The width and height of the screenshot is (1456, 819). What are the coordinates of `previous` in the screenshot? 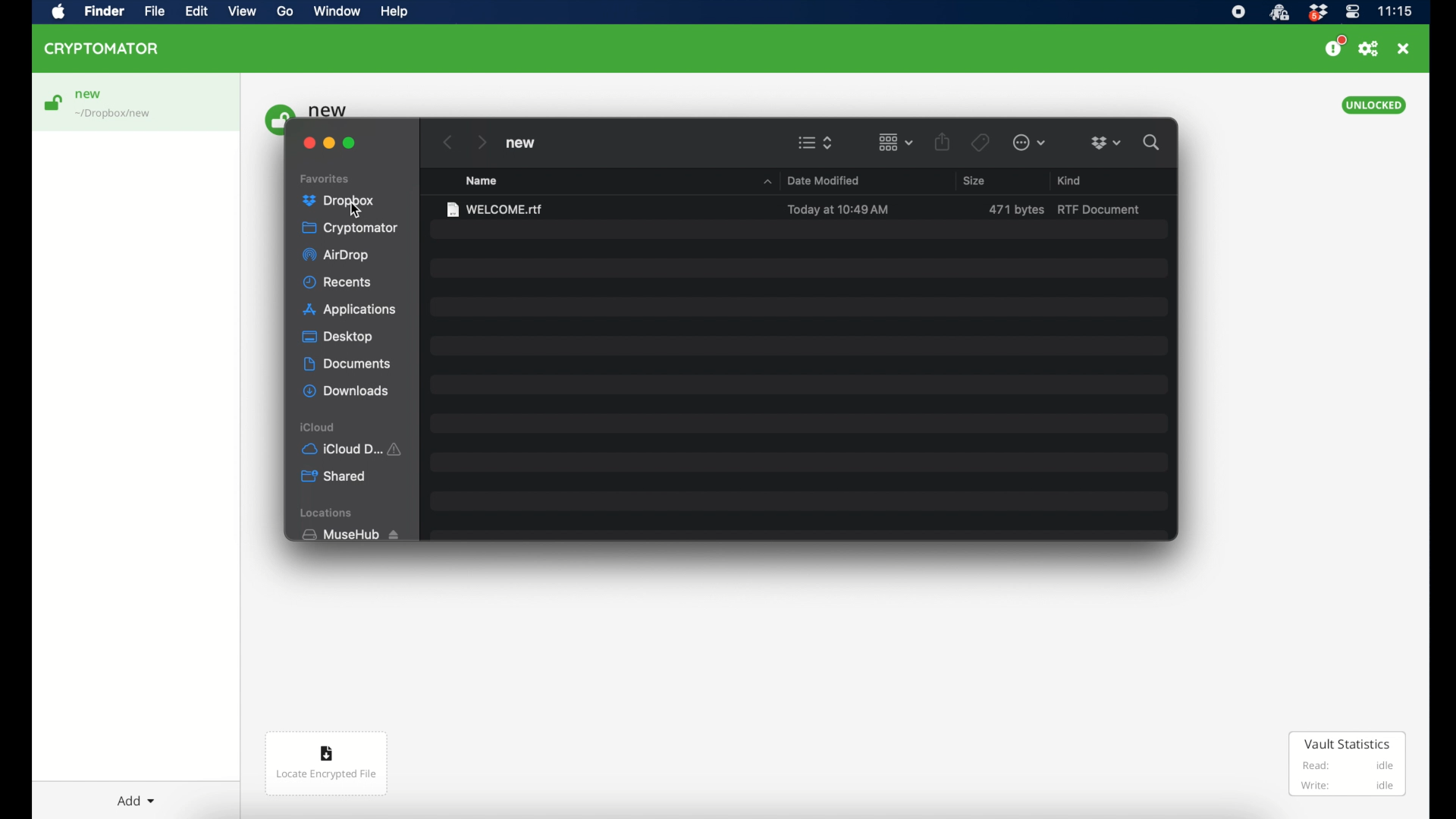 It's located at (448, 143).